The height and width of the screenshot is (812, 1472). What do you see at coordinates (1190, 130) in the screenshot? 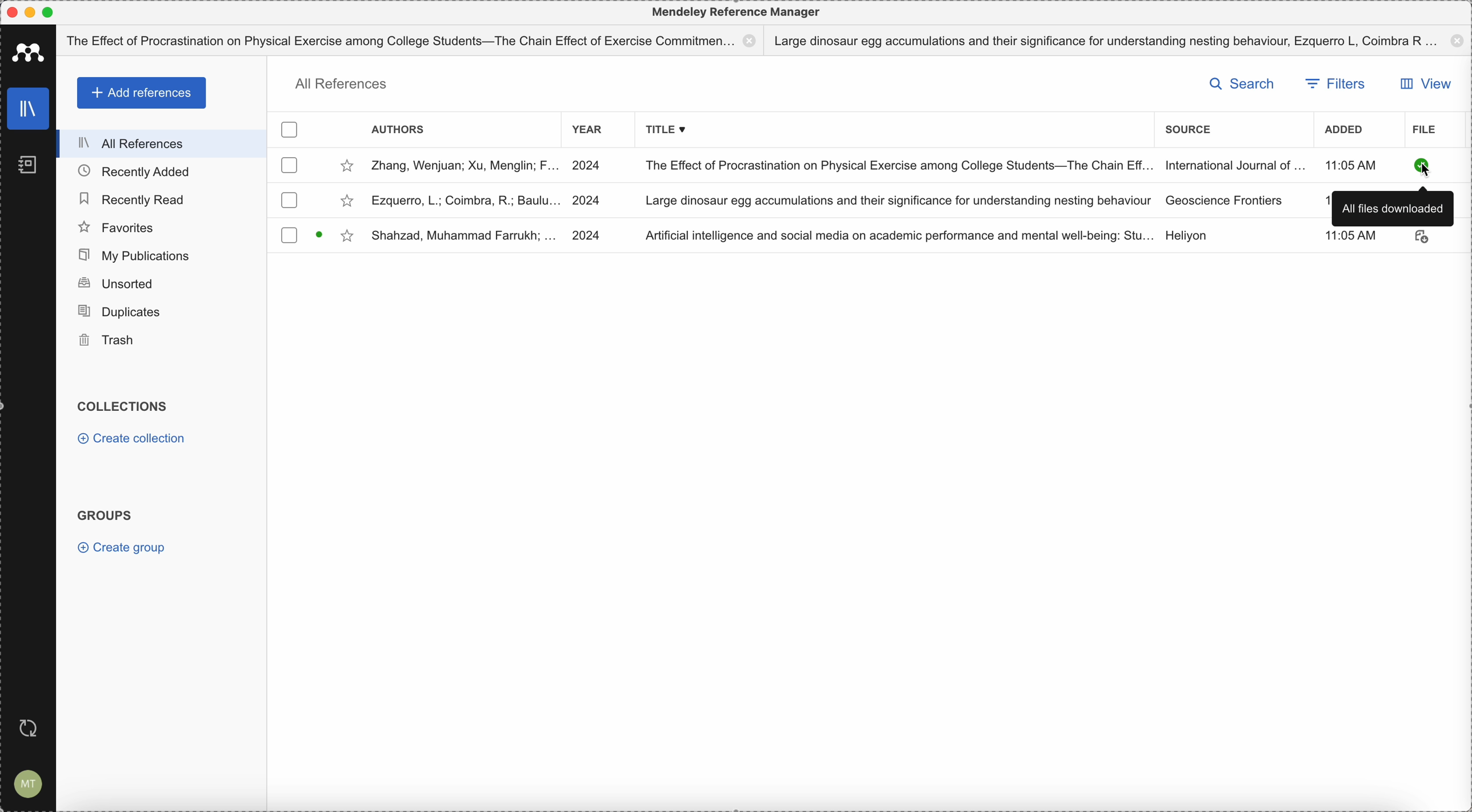
I see `source` at bounding box center [1190, 130].